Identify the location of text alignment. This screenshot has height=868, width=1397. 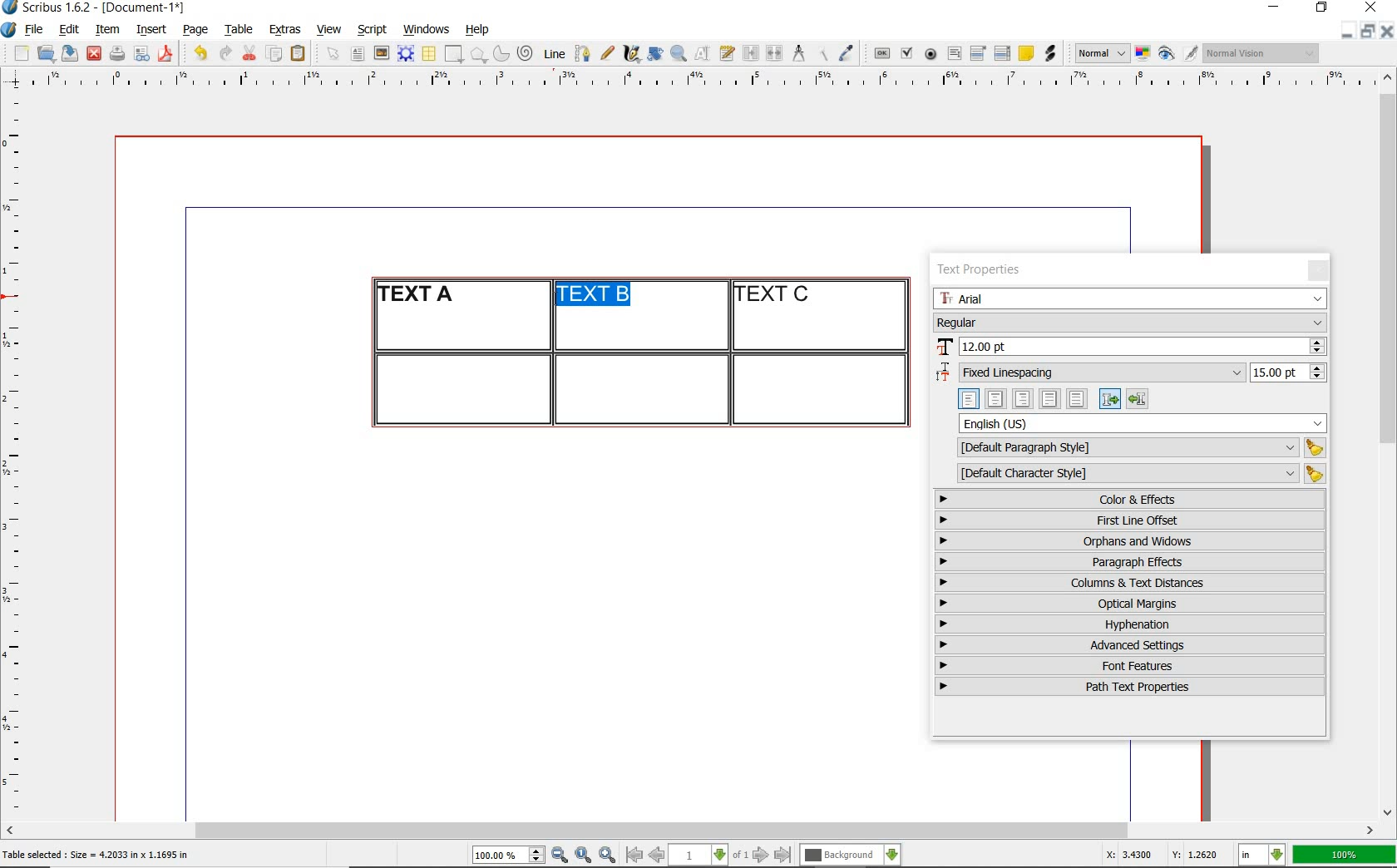
(1053, 398).